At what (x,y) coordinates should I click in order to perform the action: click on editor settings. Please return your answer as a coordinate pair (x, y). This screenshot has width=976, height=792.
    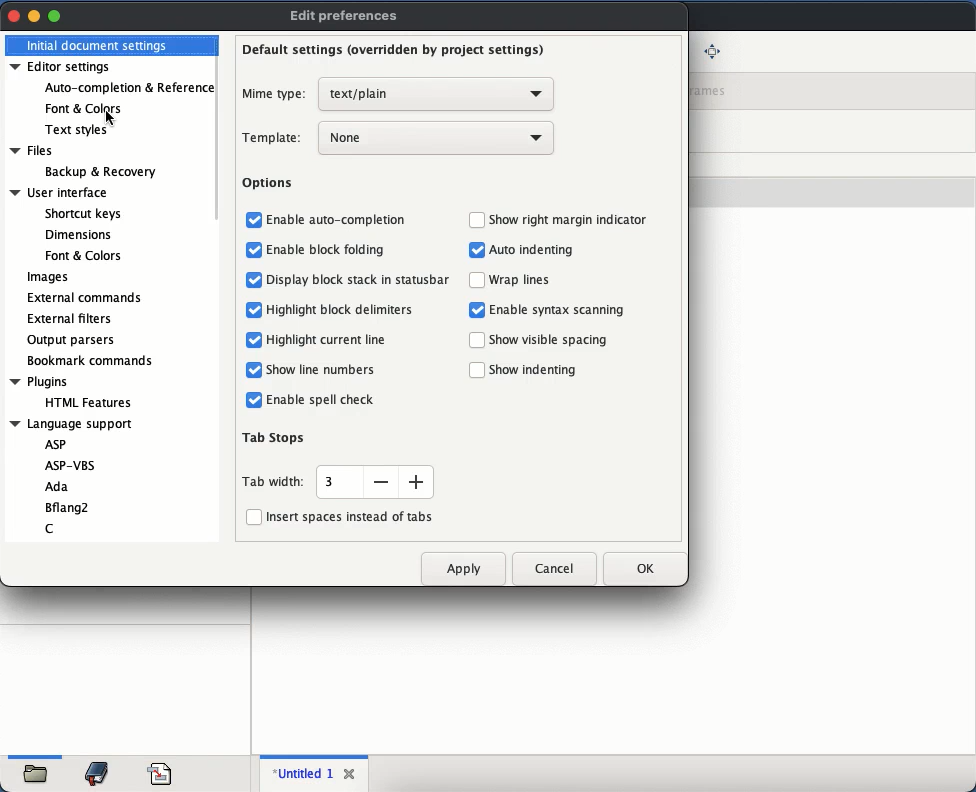
    Looking at the image, I should click on (62, 67).